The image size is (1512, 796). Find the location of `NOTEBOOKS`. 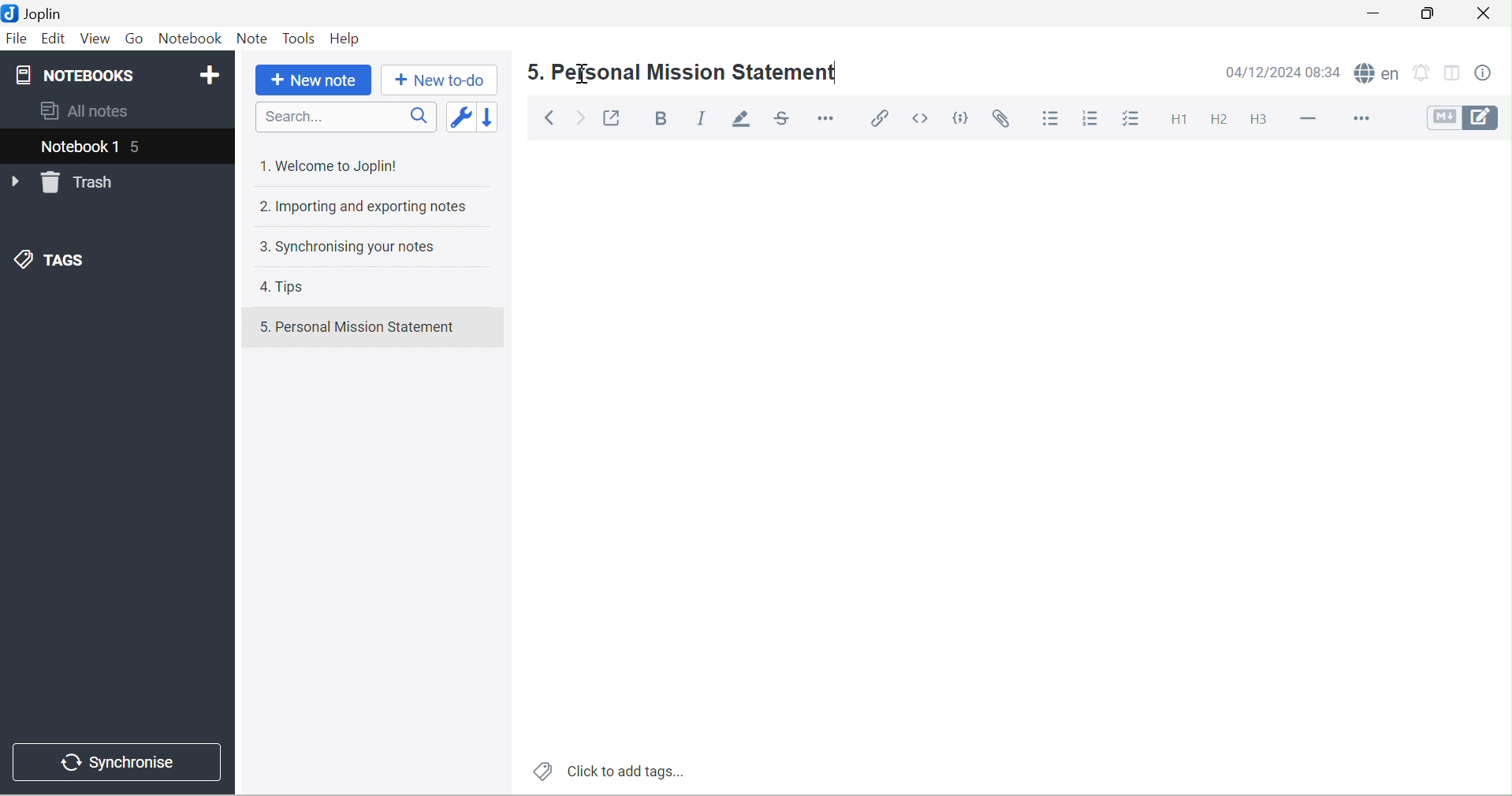

NOTEBOOKS is located at coordinates (80, 73).